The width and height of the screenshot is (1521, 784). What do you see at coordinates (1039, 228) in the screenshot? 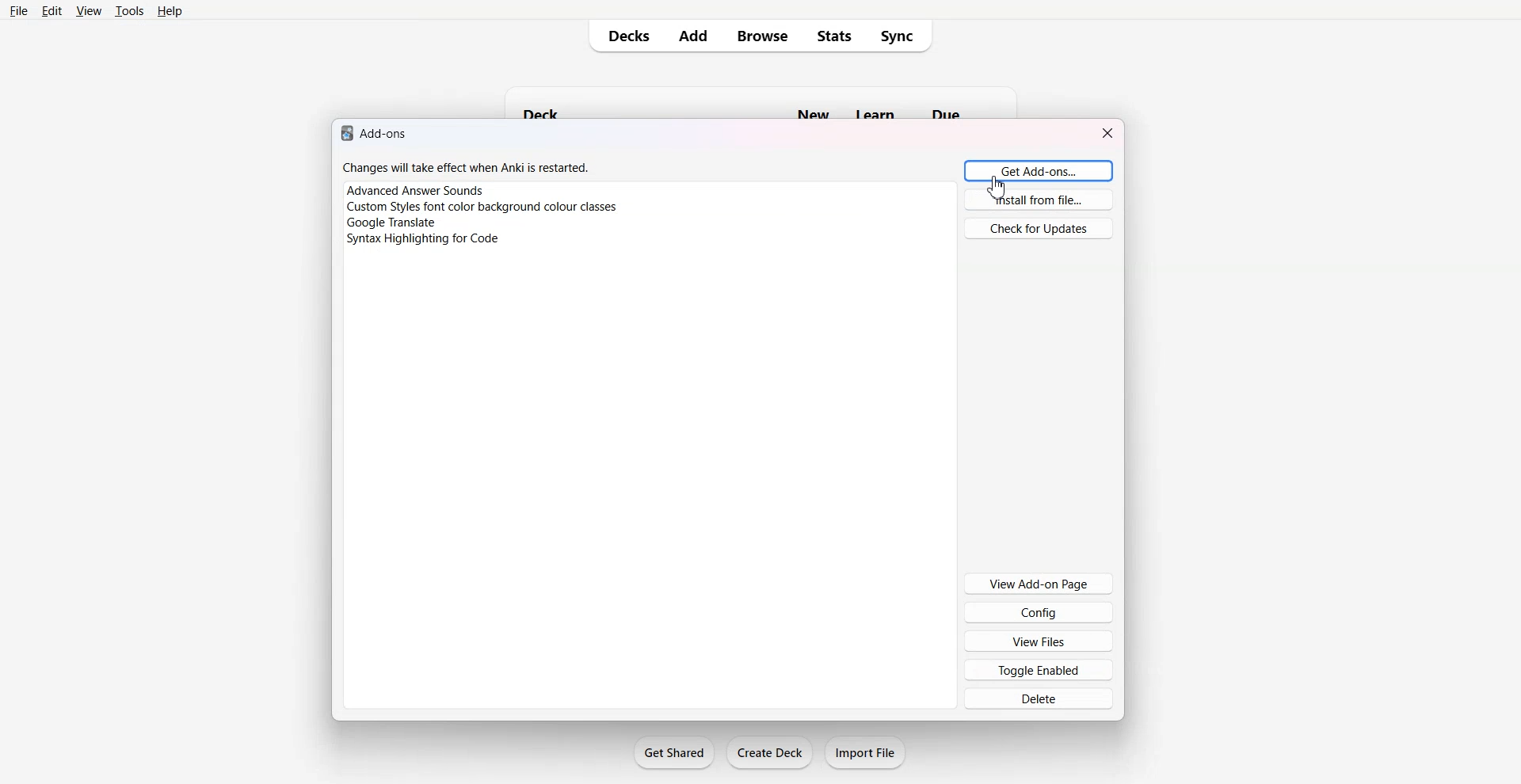
I see `Check for Updates` at bounding box center [1039, 228].